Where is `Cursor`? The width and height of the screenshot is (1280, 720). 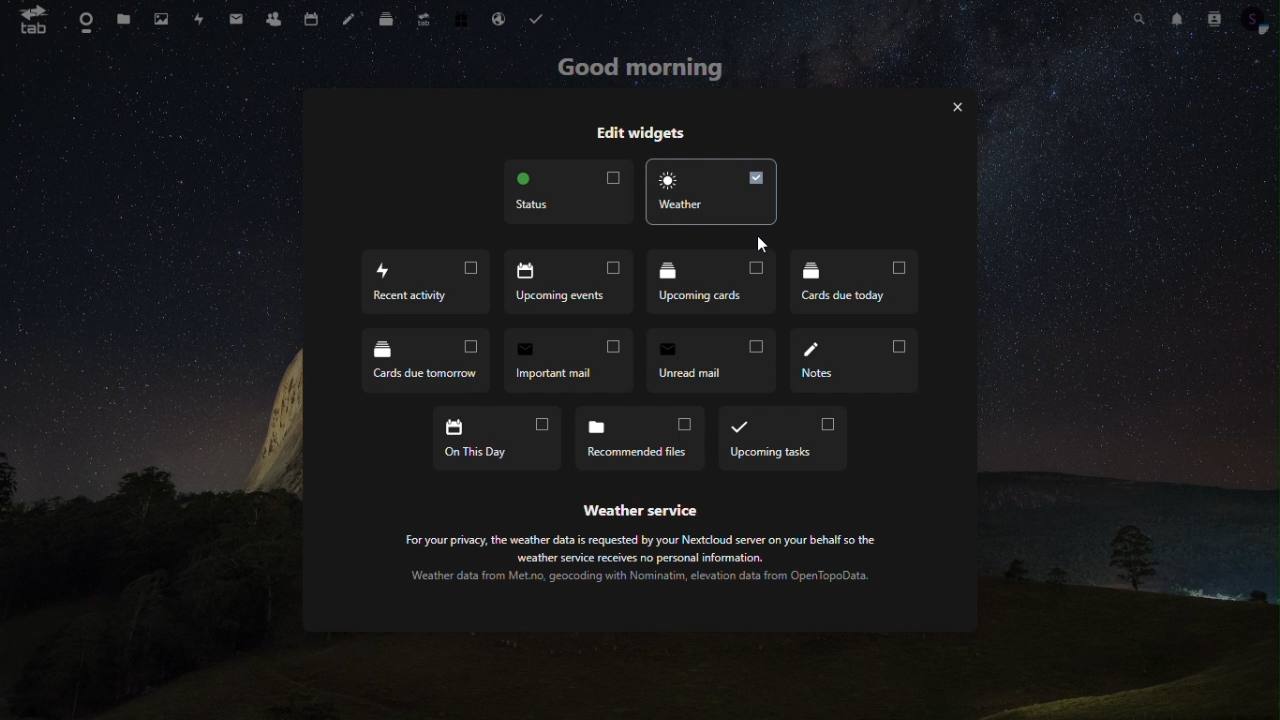 Cursor is located at coordinates (768, 246).